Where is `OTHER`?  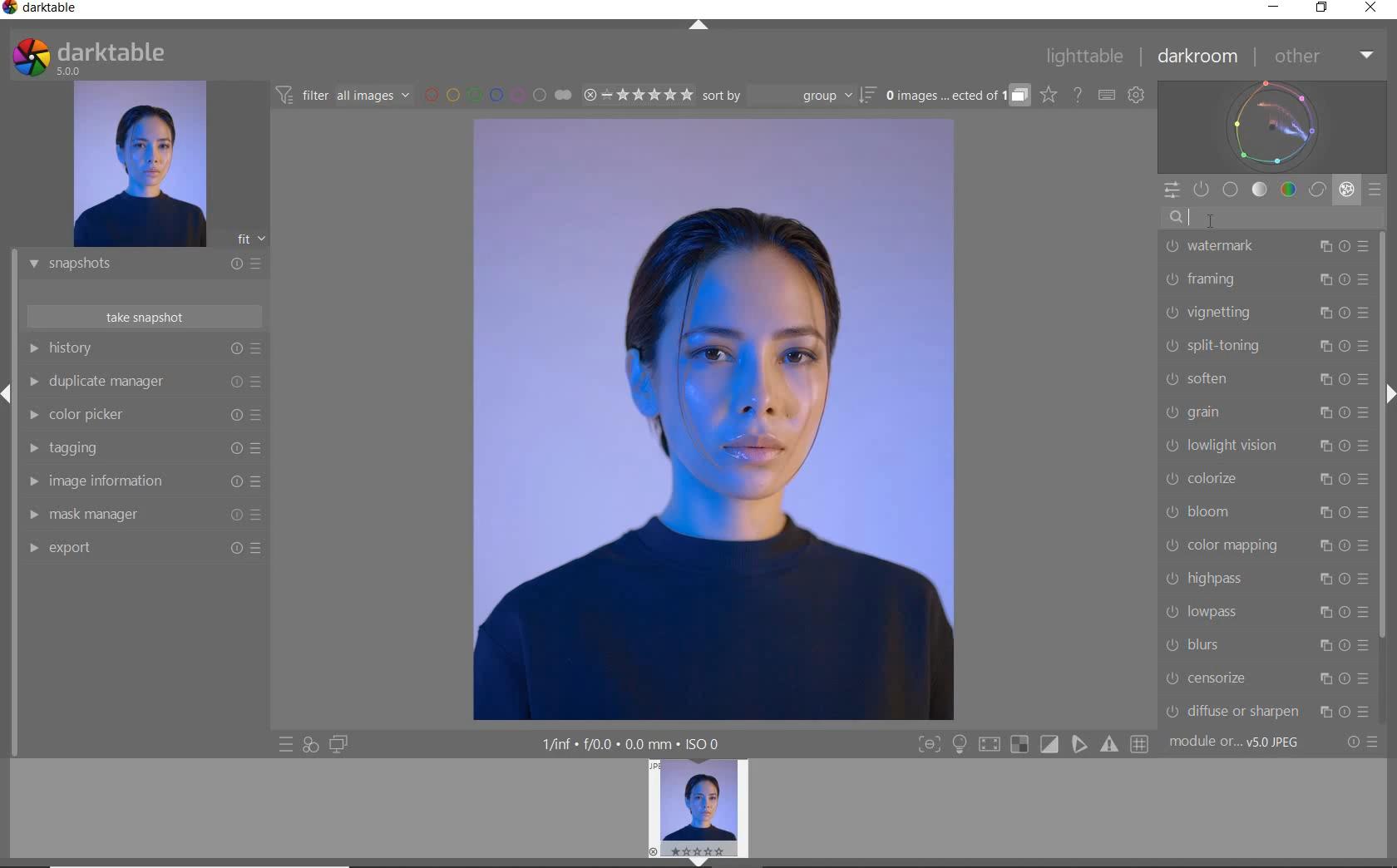 OTHER is located at coordinates (1322, 57).